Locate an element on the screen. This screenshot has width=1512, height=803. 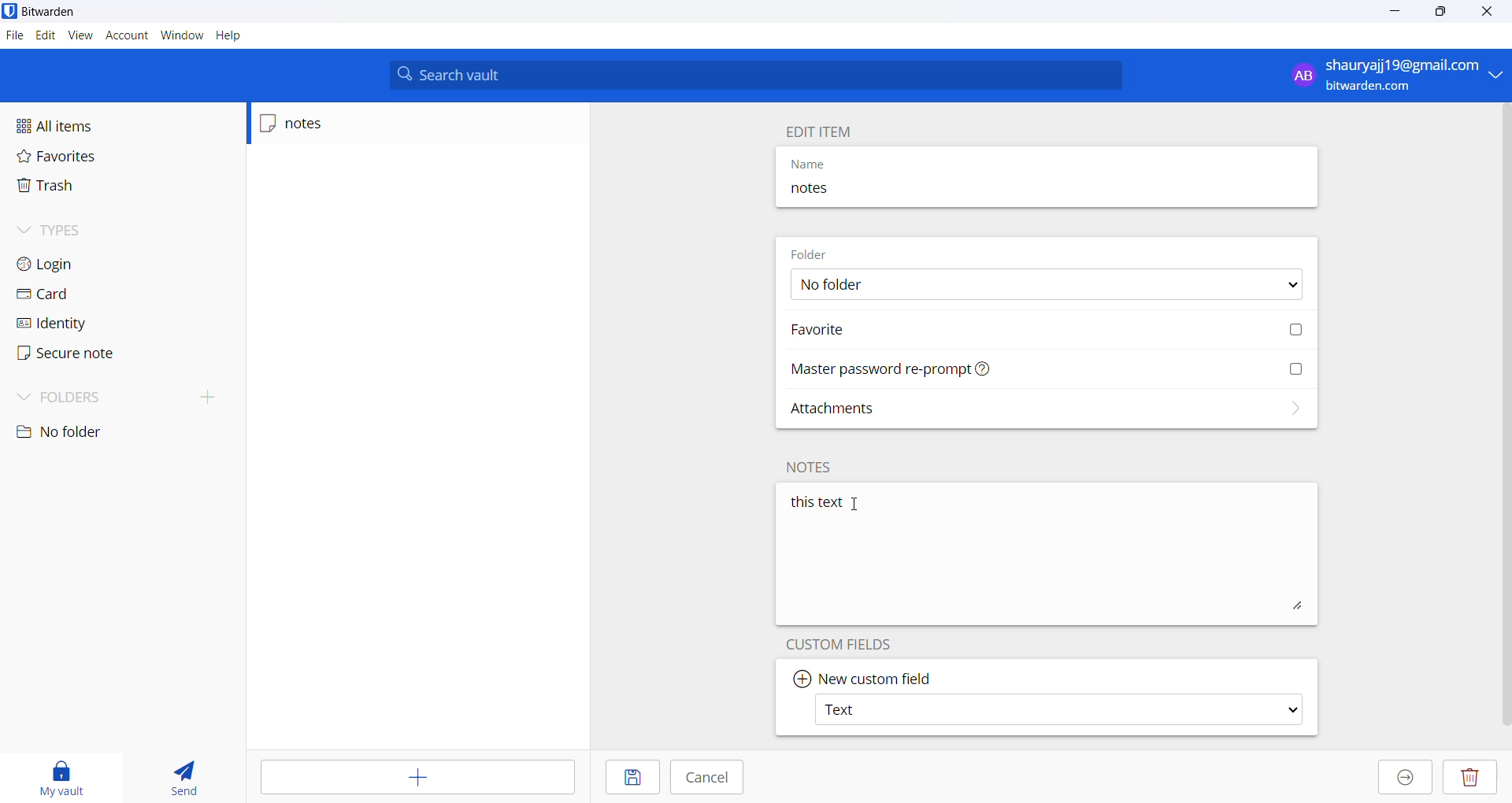
vertical scrollbar is located at coordinates (1503, 413).